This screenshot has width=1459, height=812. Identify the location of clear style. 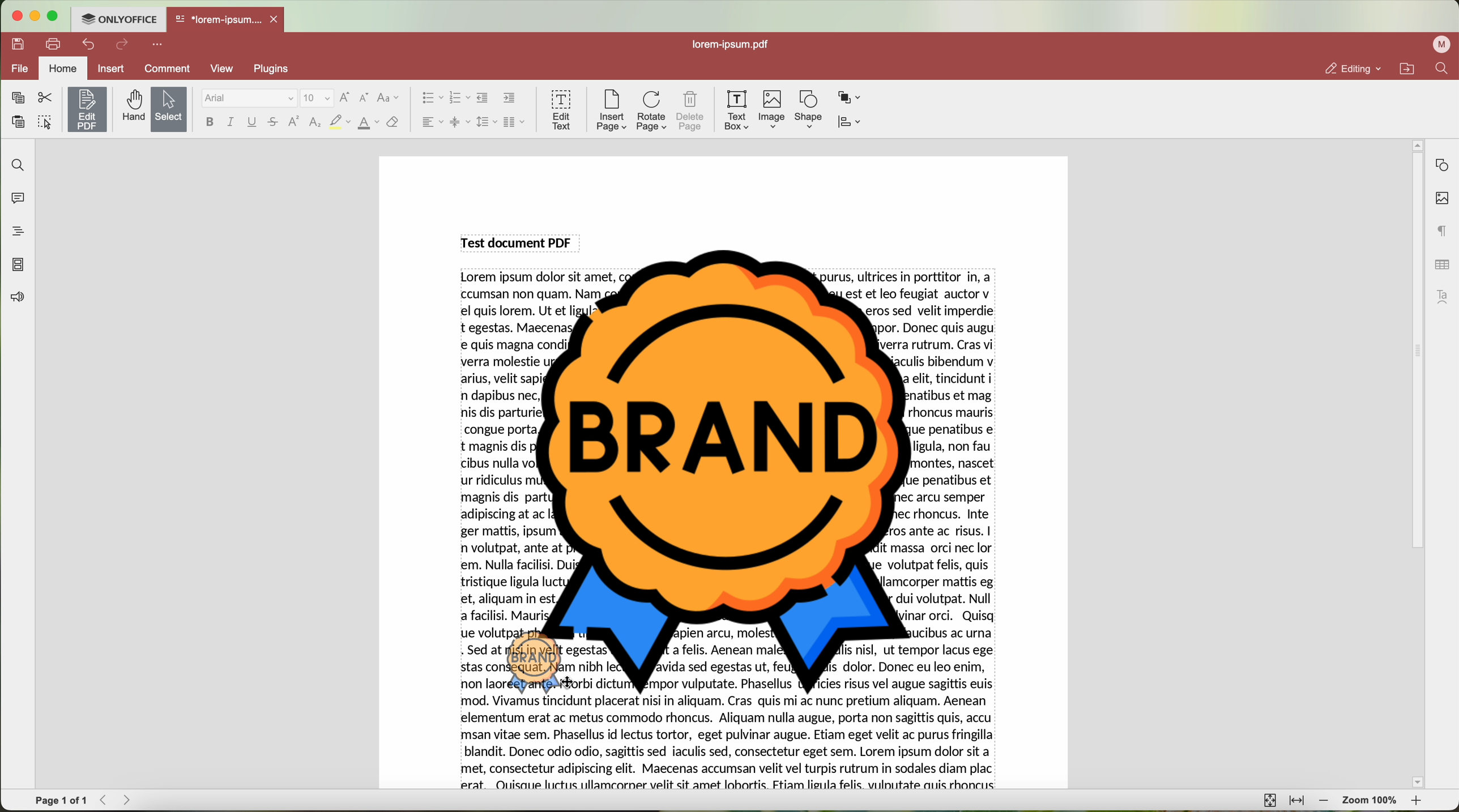
(393, 123).